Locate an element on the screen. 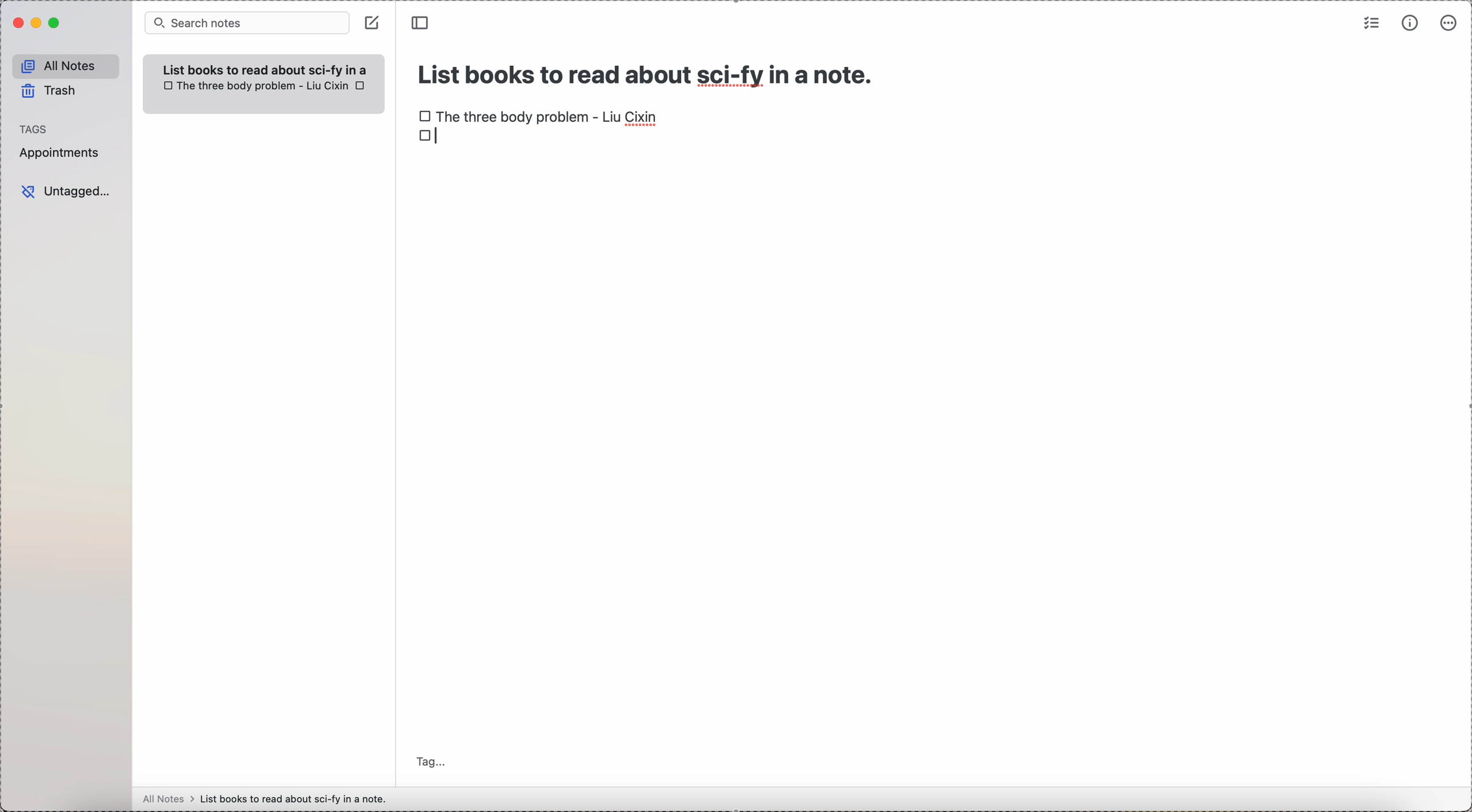 The width and height of the screenshot is (1472, 812). checkbox is located at coordinates (362, 86).